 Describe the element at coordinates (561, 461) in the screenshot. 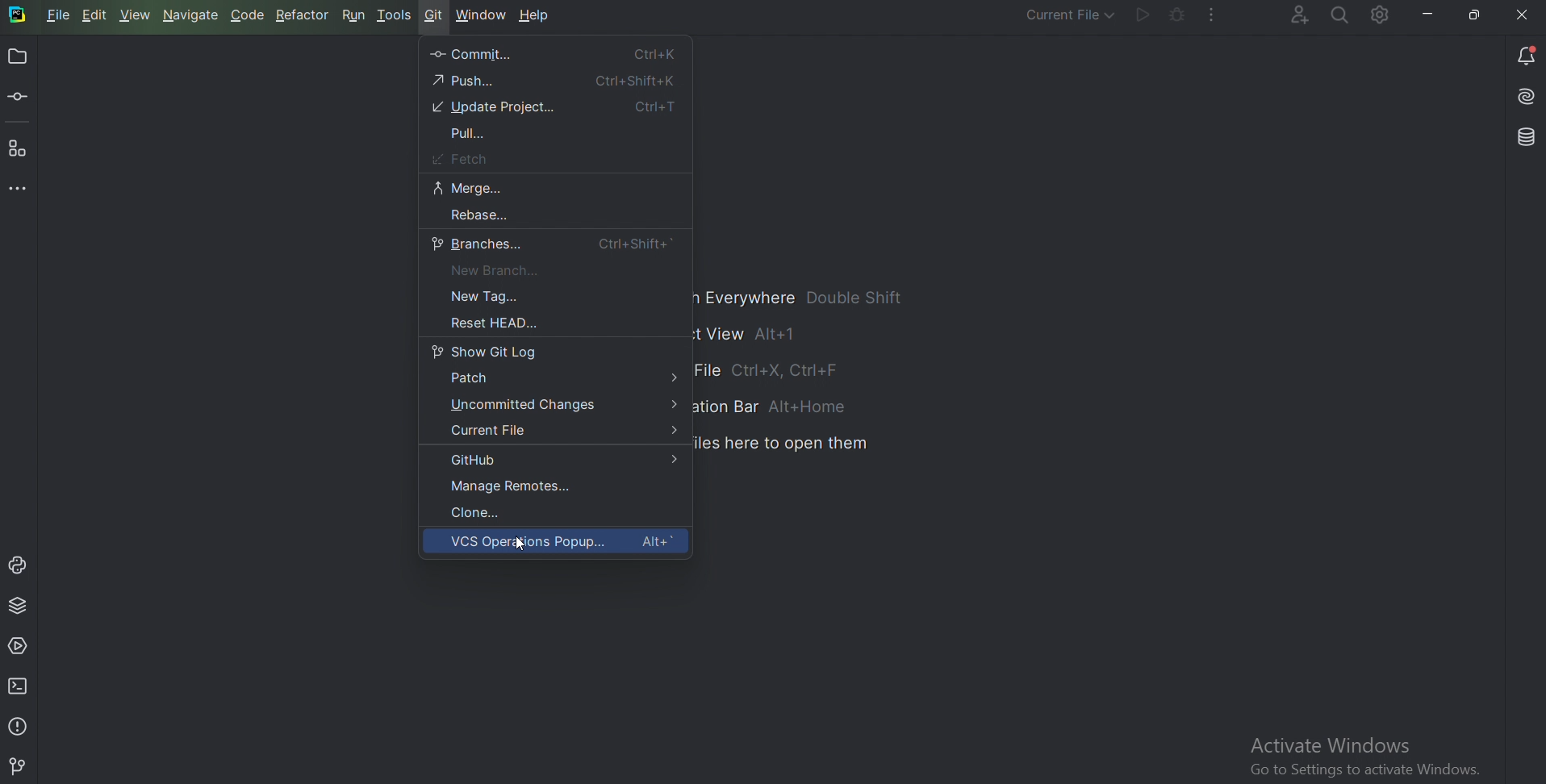

I see `Github` at that location.